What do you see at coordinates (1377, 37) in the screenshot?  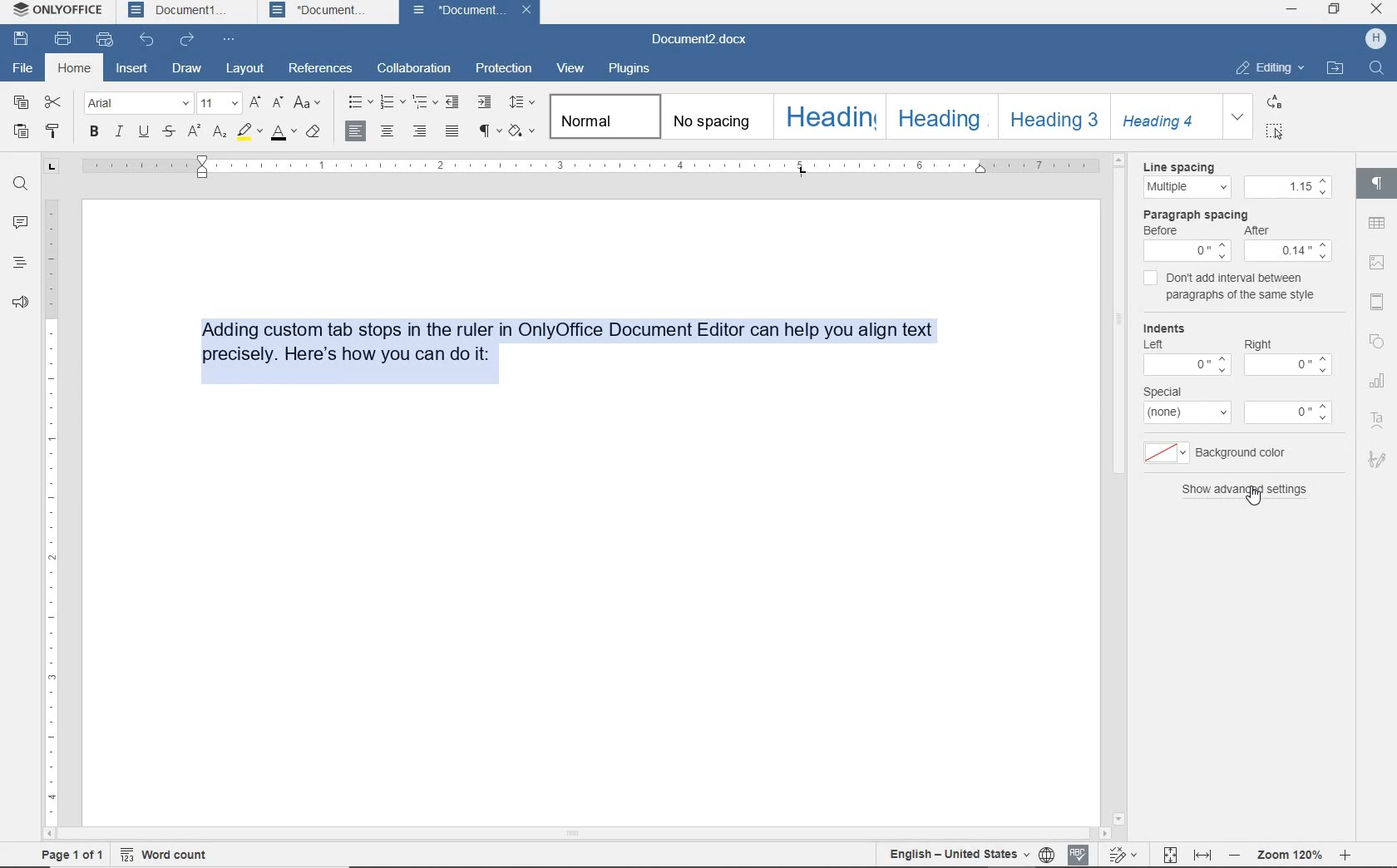 I see `profile` at bounding box center [1377, 37].